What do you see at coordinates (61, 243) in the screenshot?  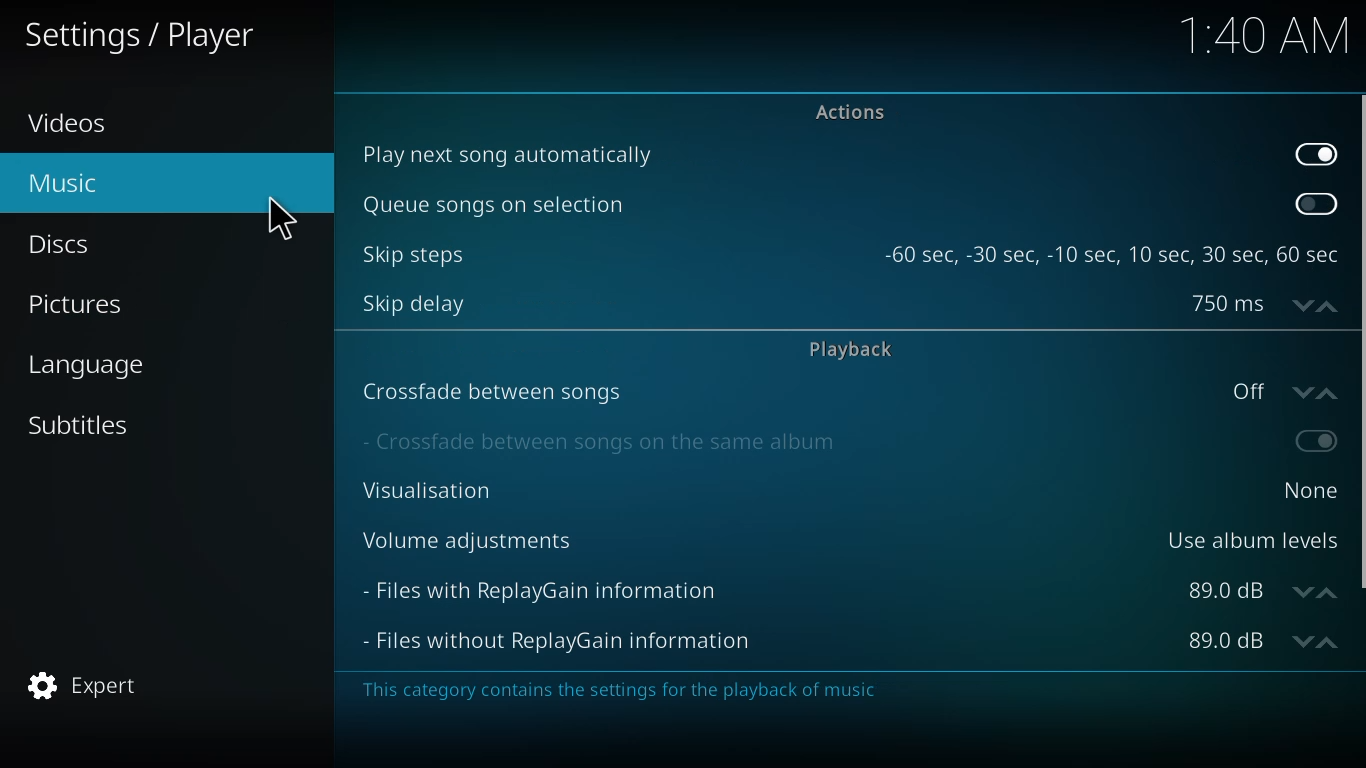 I see `discs` at bounding box center [61, 243].